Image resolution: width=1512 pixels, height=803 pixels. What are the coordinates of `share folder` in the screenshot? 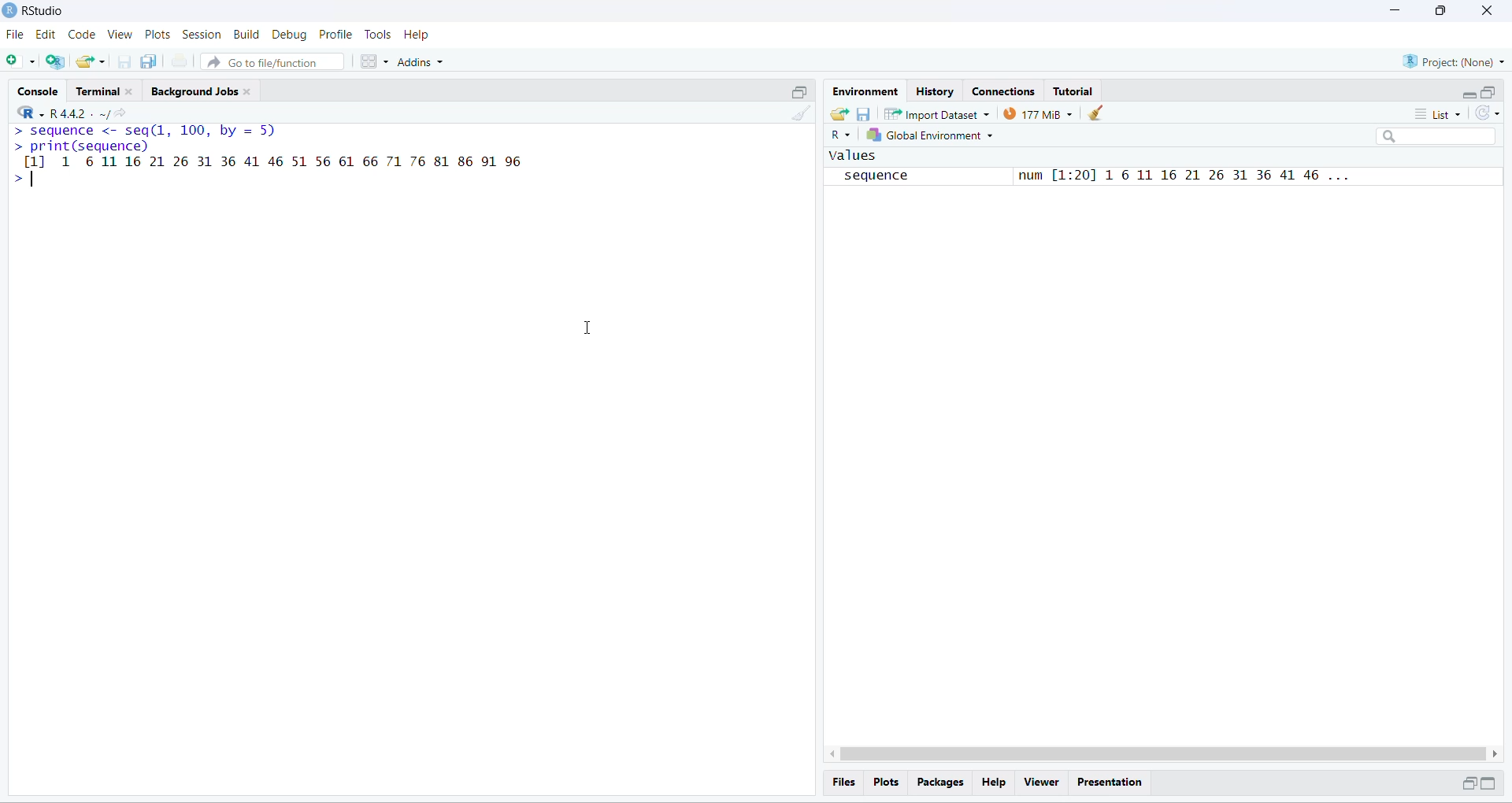 It's located at (839, 115).